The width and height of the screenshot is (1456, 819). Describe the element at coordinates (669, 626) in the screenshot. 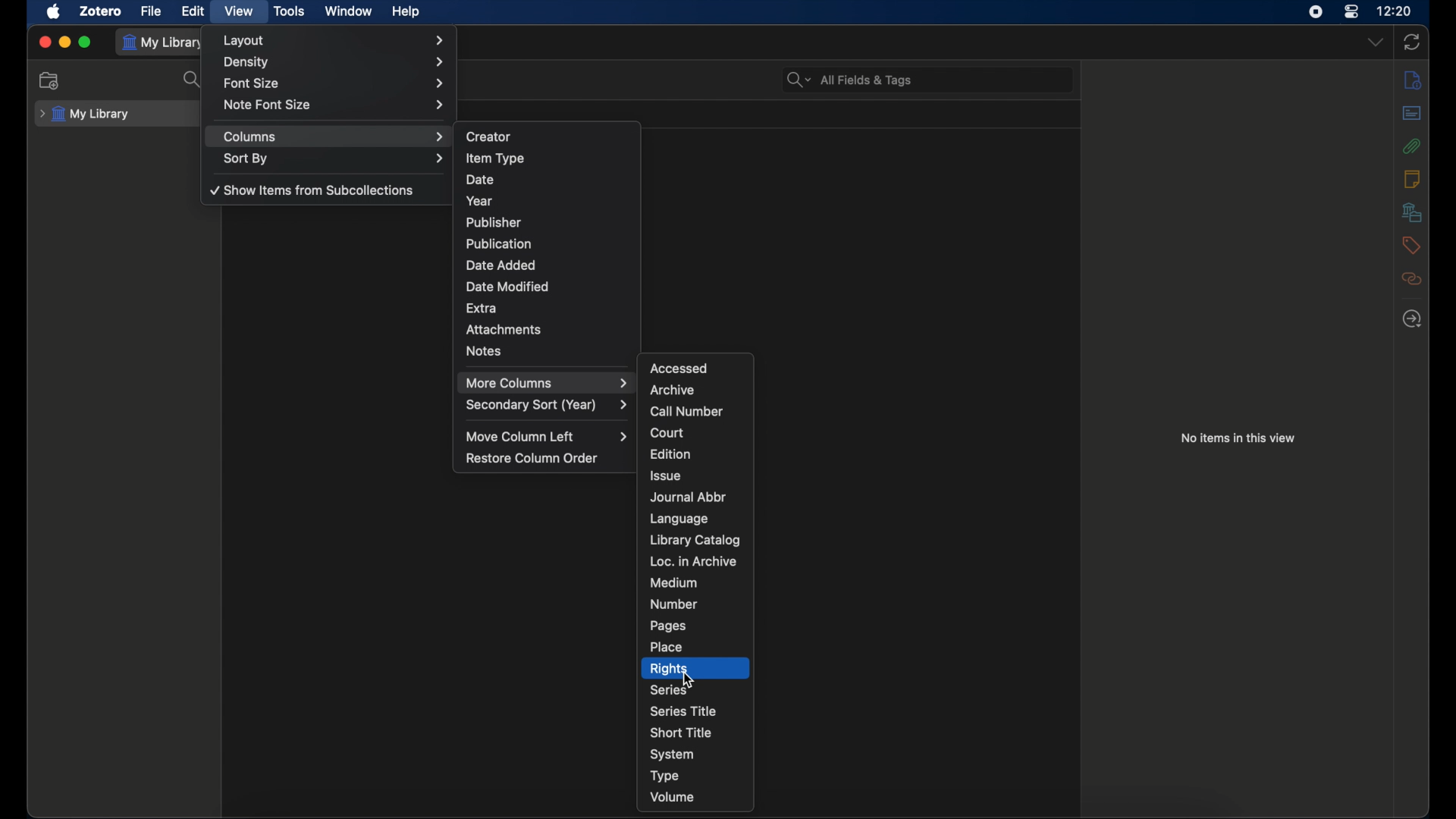

I see `pages` at that location.